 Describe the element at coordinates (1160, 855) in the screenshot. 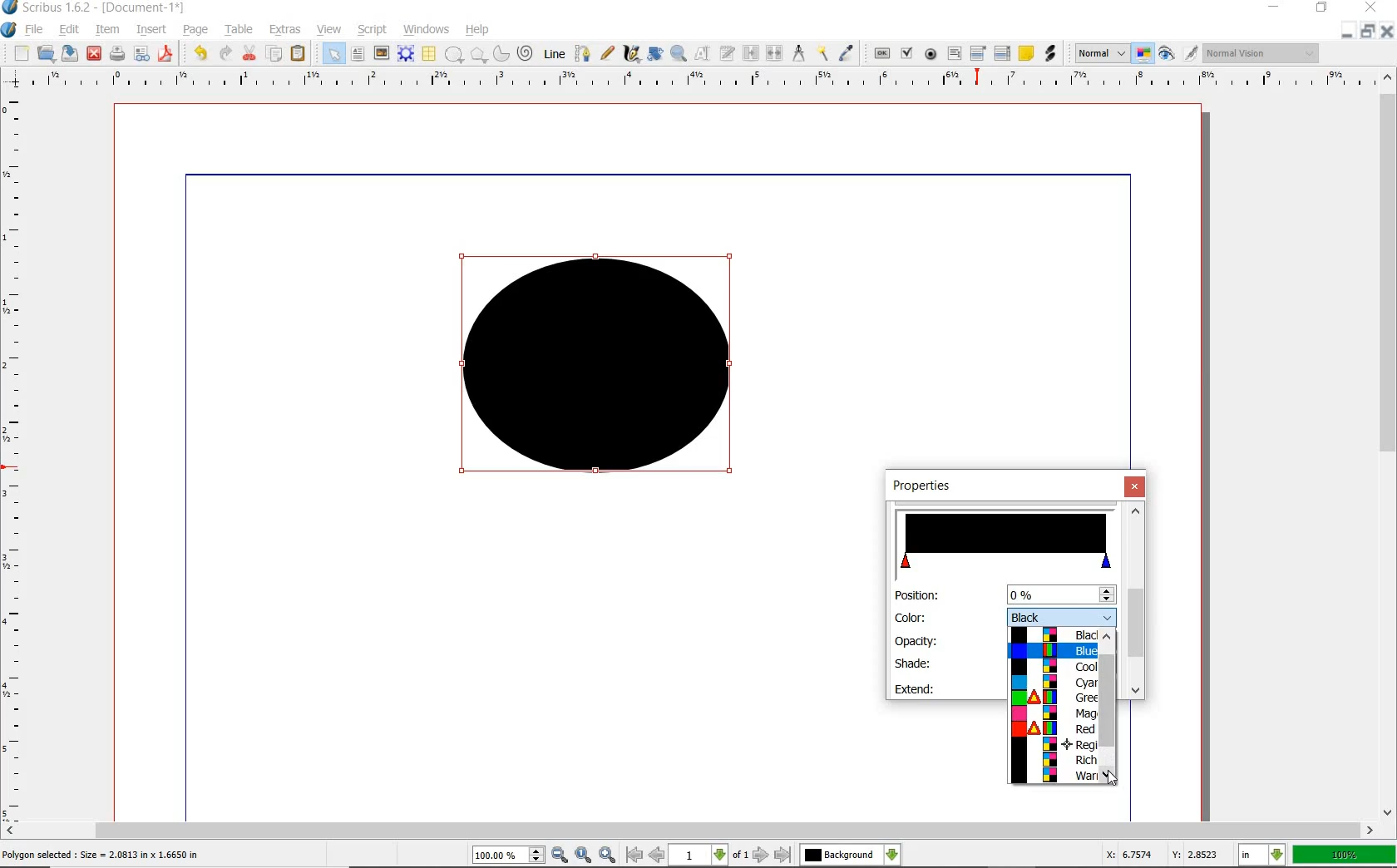

I see `coordinates` at that location.